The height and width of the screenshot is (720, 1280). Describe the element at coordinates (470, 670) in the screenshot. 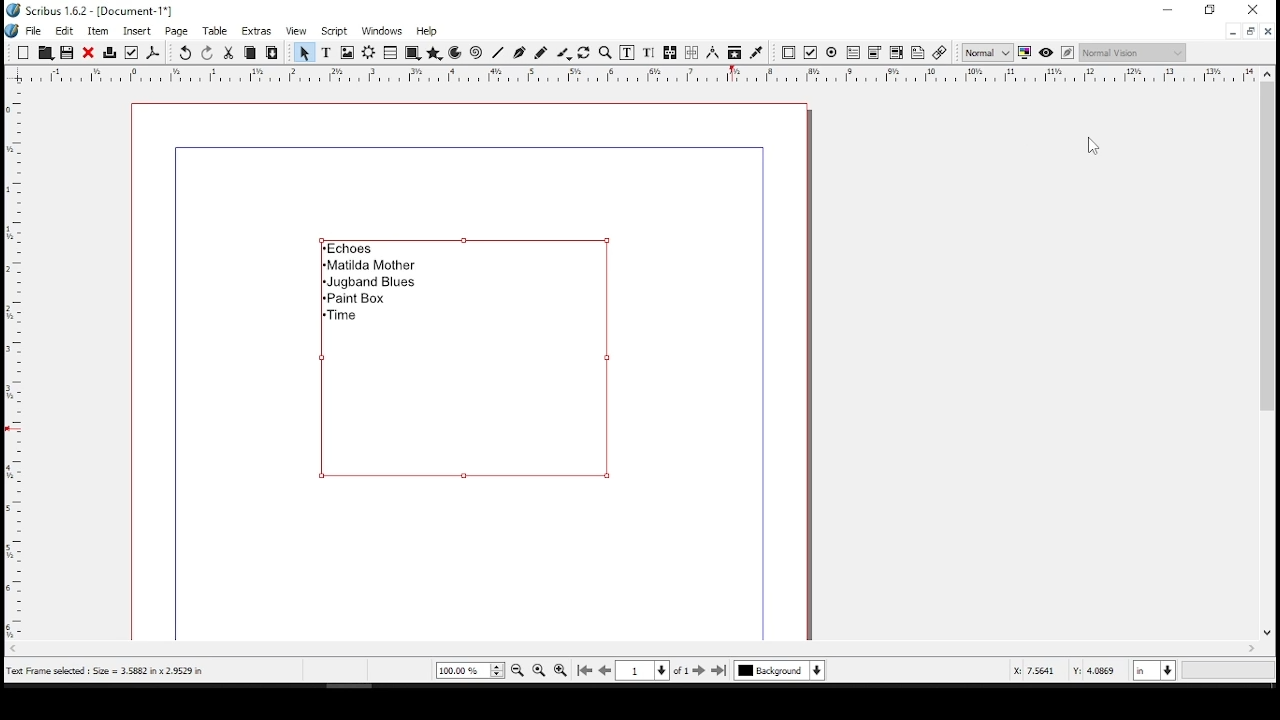

I see `current zoom level` at that location.